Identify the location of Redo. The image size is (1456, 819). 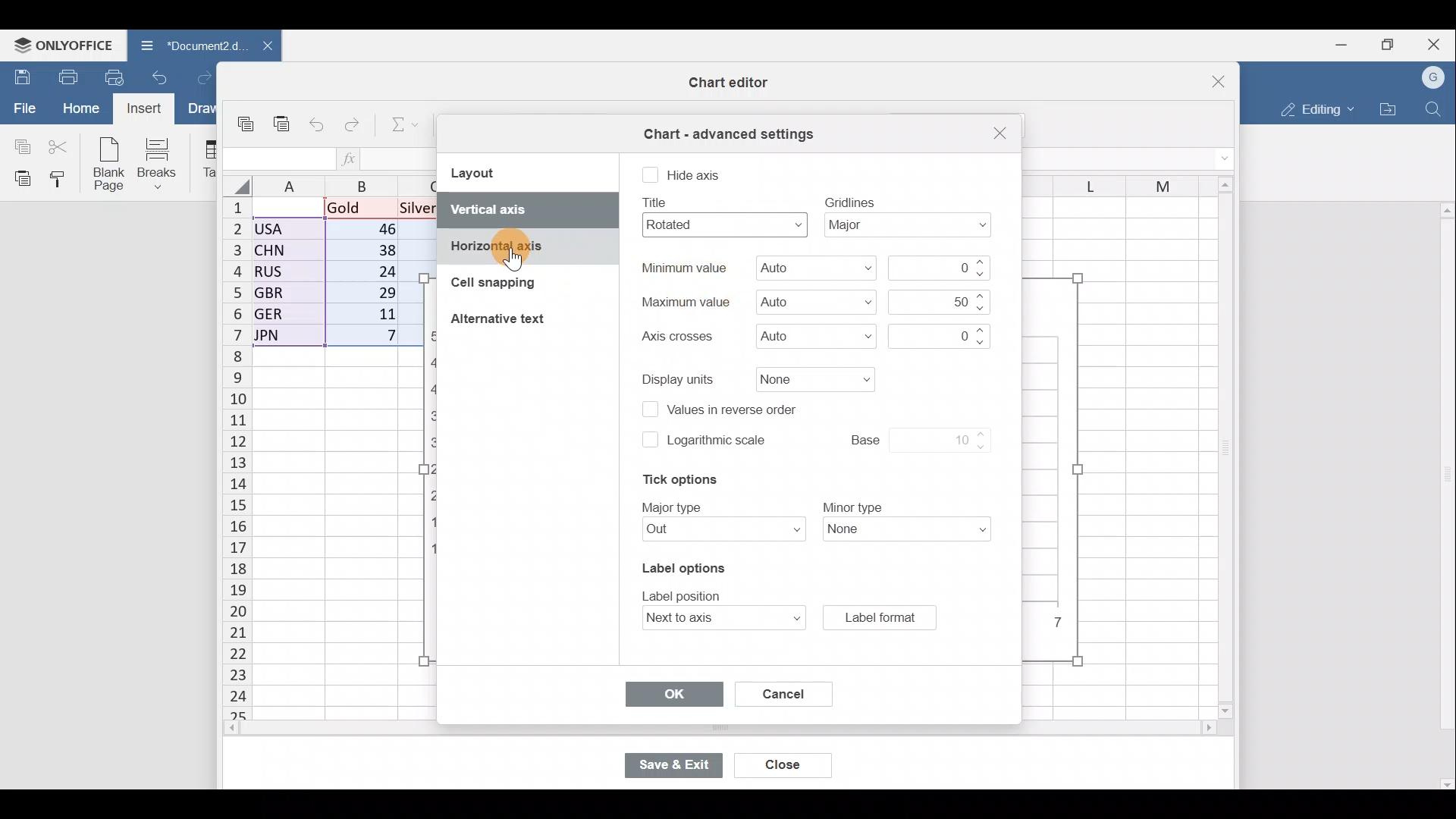
(356, 121).